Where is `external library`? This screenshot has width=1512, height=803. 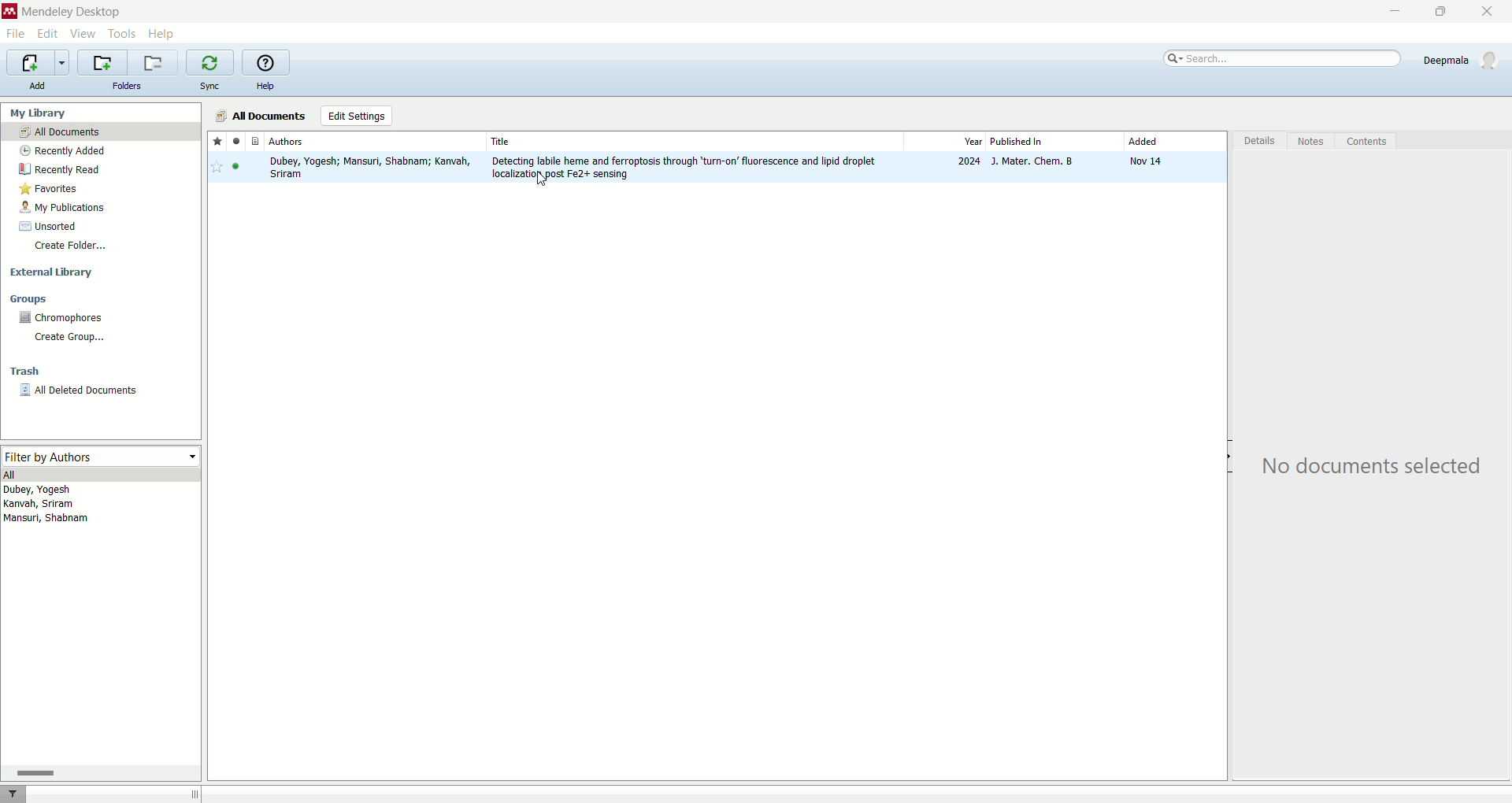
external library is located at coordinates (54, 273).